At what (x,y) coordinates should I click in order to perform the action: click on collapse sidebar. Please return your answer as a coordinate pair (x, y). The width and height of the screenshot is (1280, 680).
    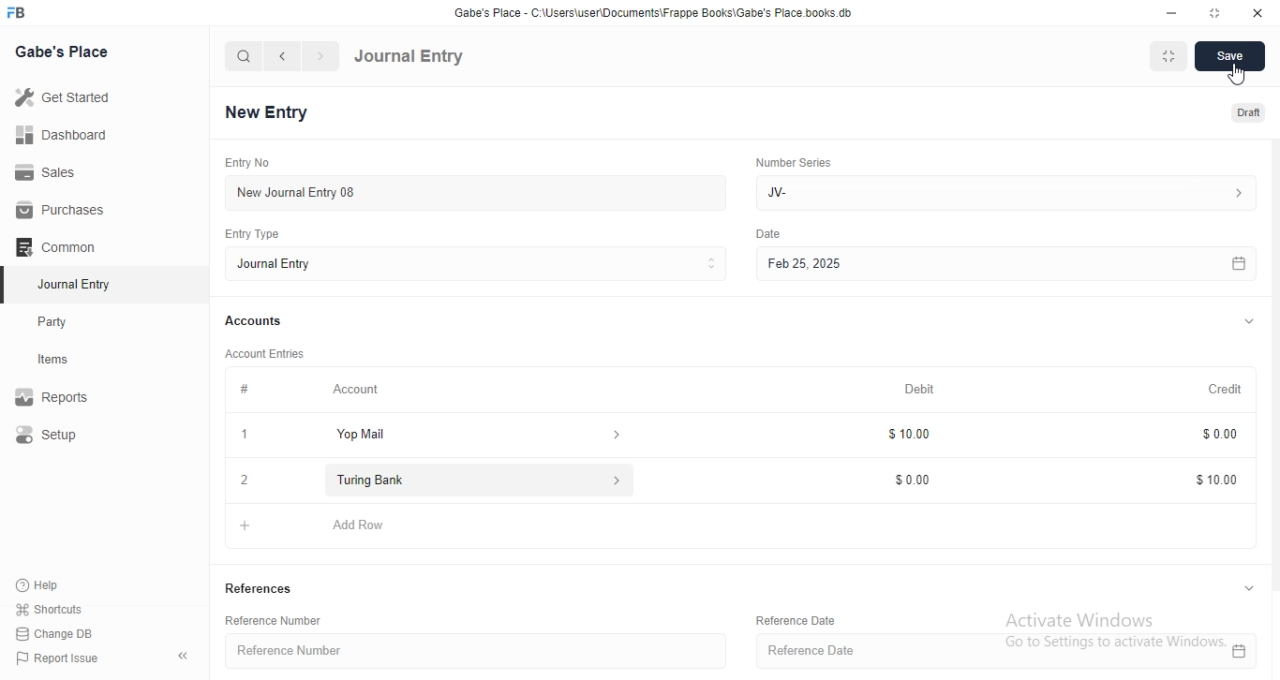
    Looking at the image, I should click on (183, 657).